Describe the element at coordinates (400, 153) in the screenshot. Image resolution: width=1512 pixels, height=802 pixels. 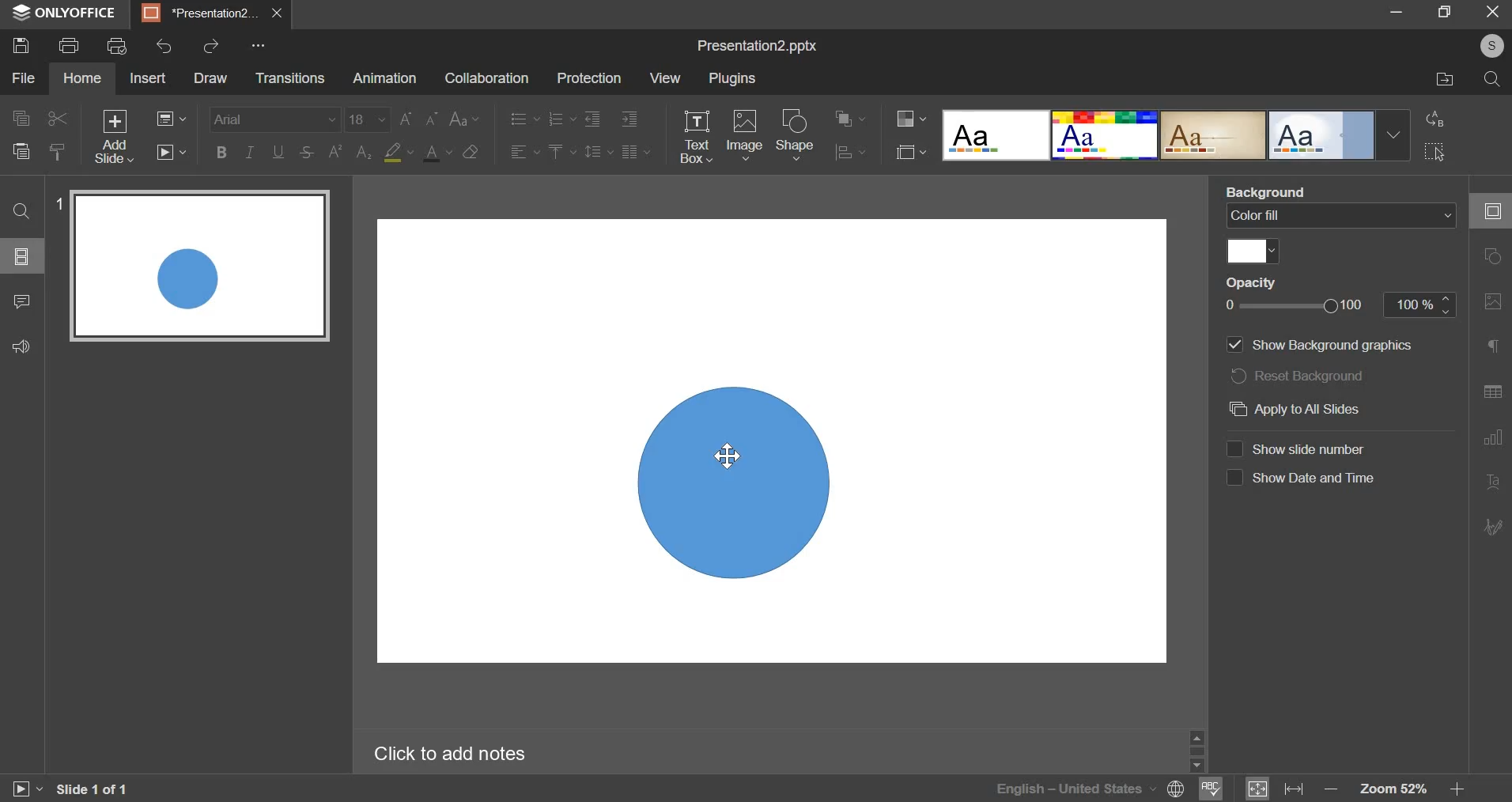
I see `highlight color` at that location.